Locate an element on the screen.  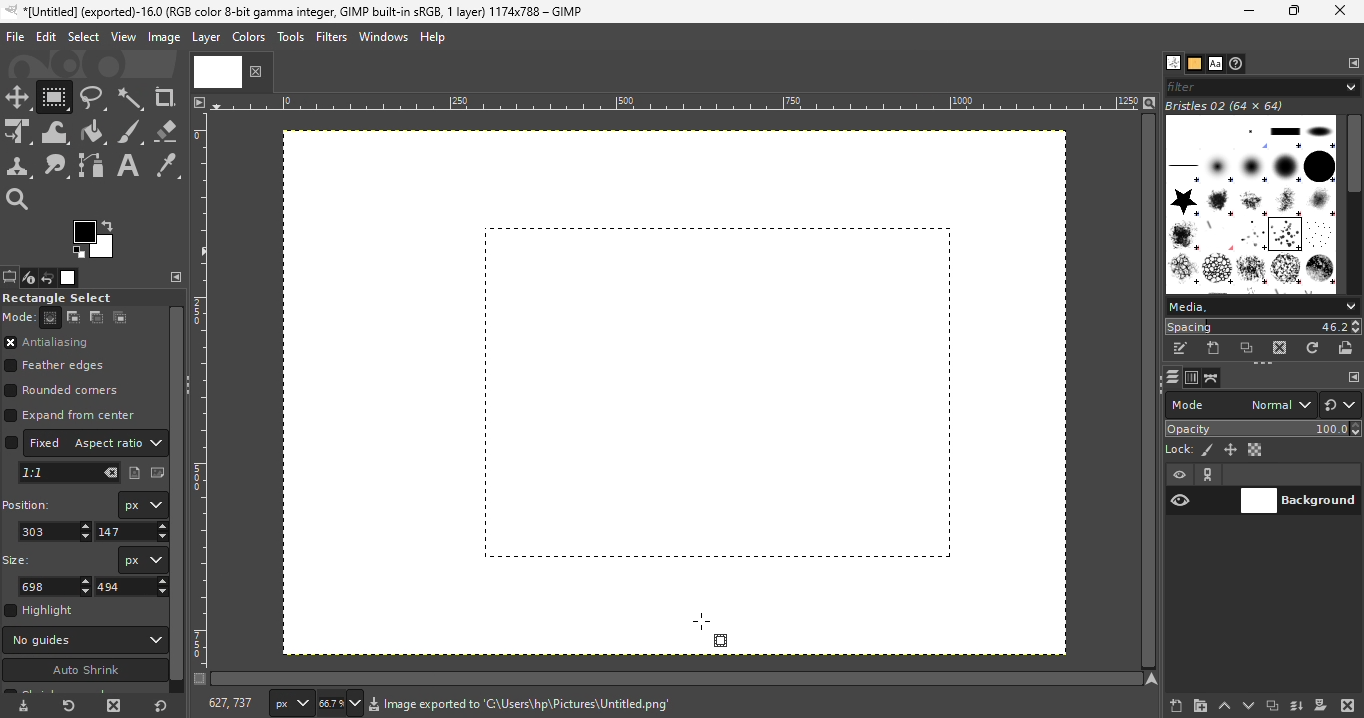
File is located at coordinates (13, 43).